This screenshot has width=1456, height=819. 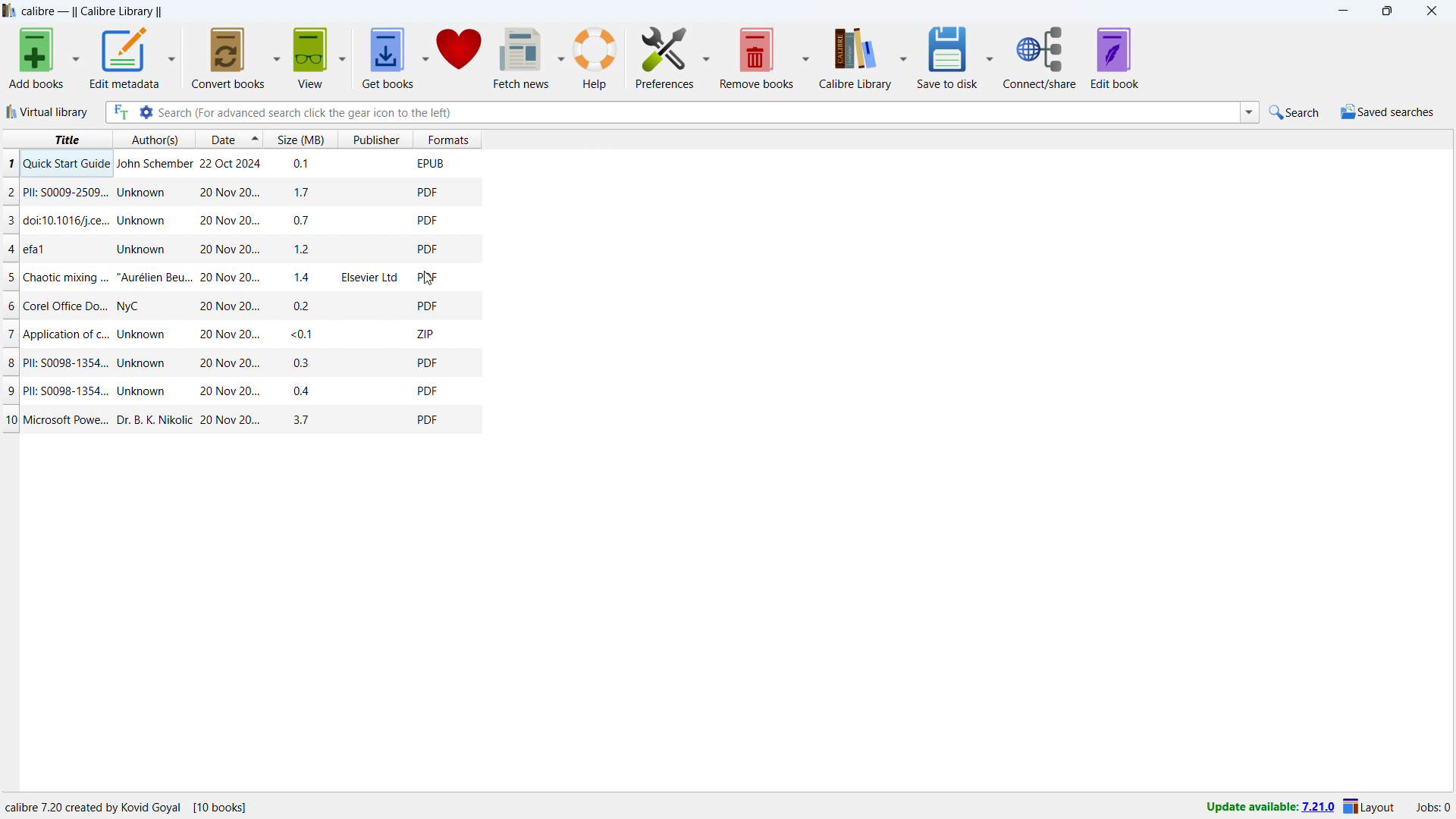 What do you see at coordinates (48, 111) in the screenshot?
I see `virtual library` at bounding box center [48, 111].